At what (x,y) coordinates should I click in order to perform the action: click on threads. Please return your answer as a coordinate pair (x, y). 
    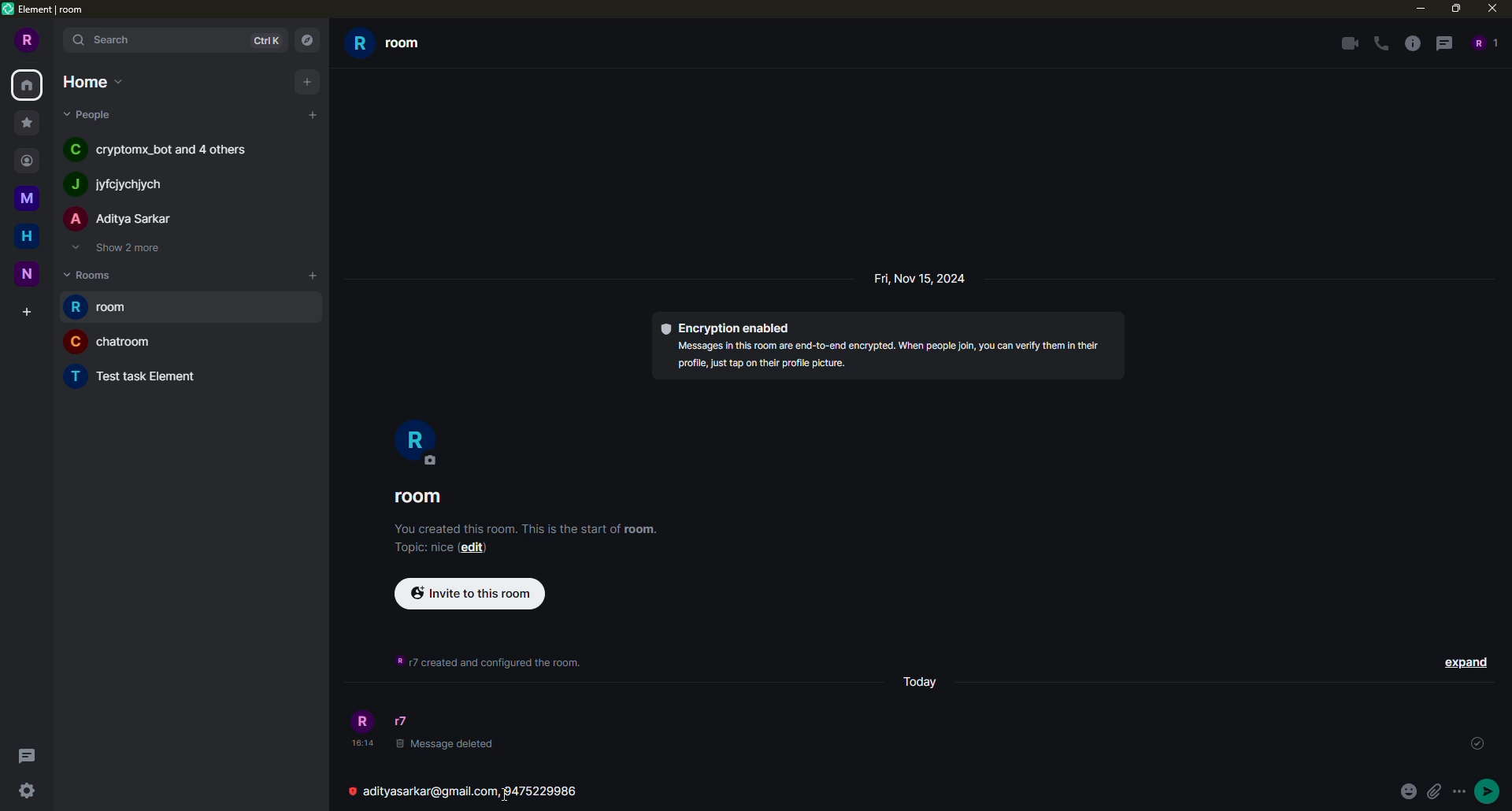
    Looking at the image, I should click on (1443, 43).